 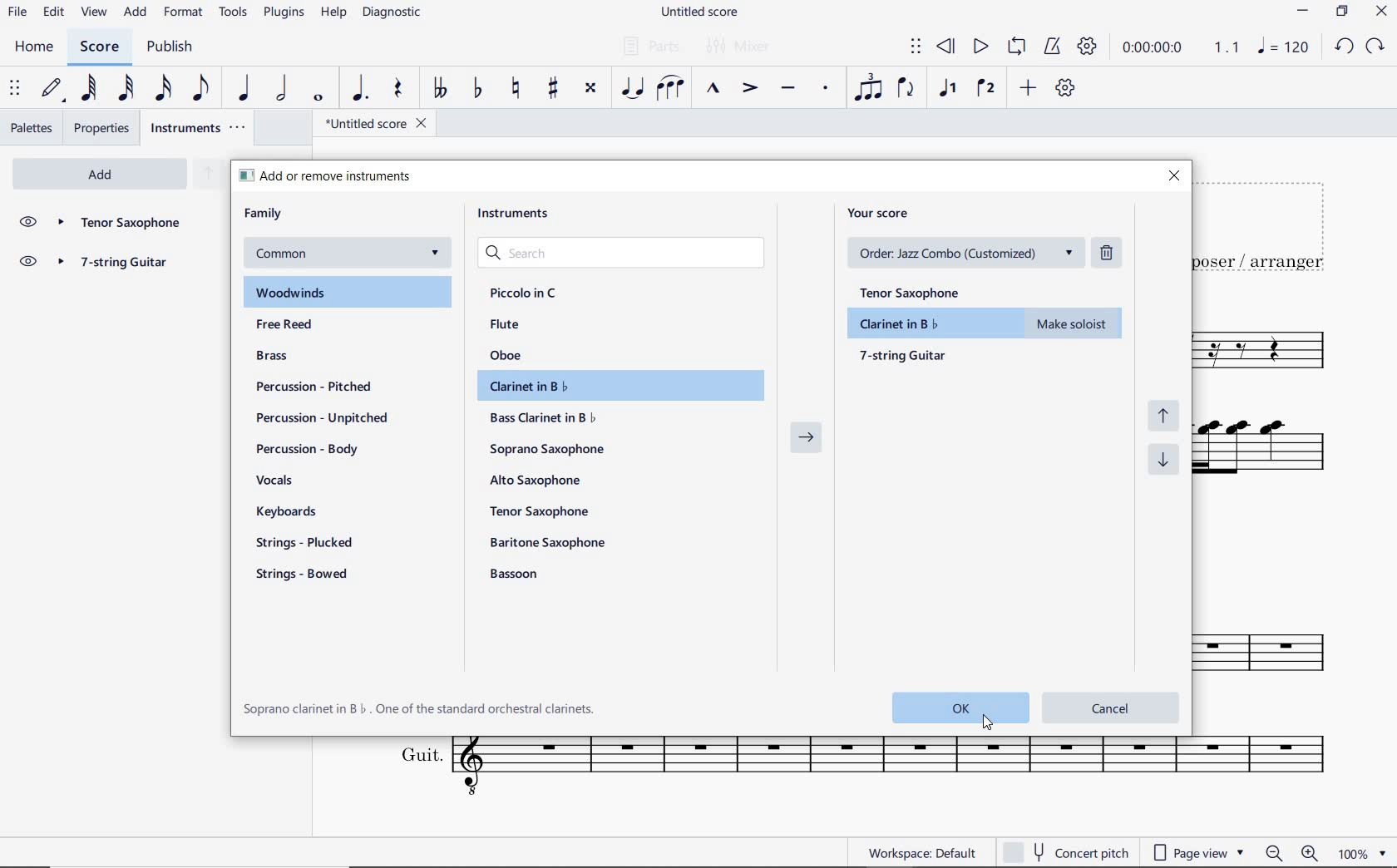 What do you see at coordinates (539, 481) in the screenshot?
I see `alto saxophone` at bounding box center [539, 481].